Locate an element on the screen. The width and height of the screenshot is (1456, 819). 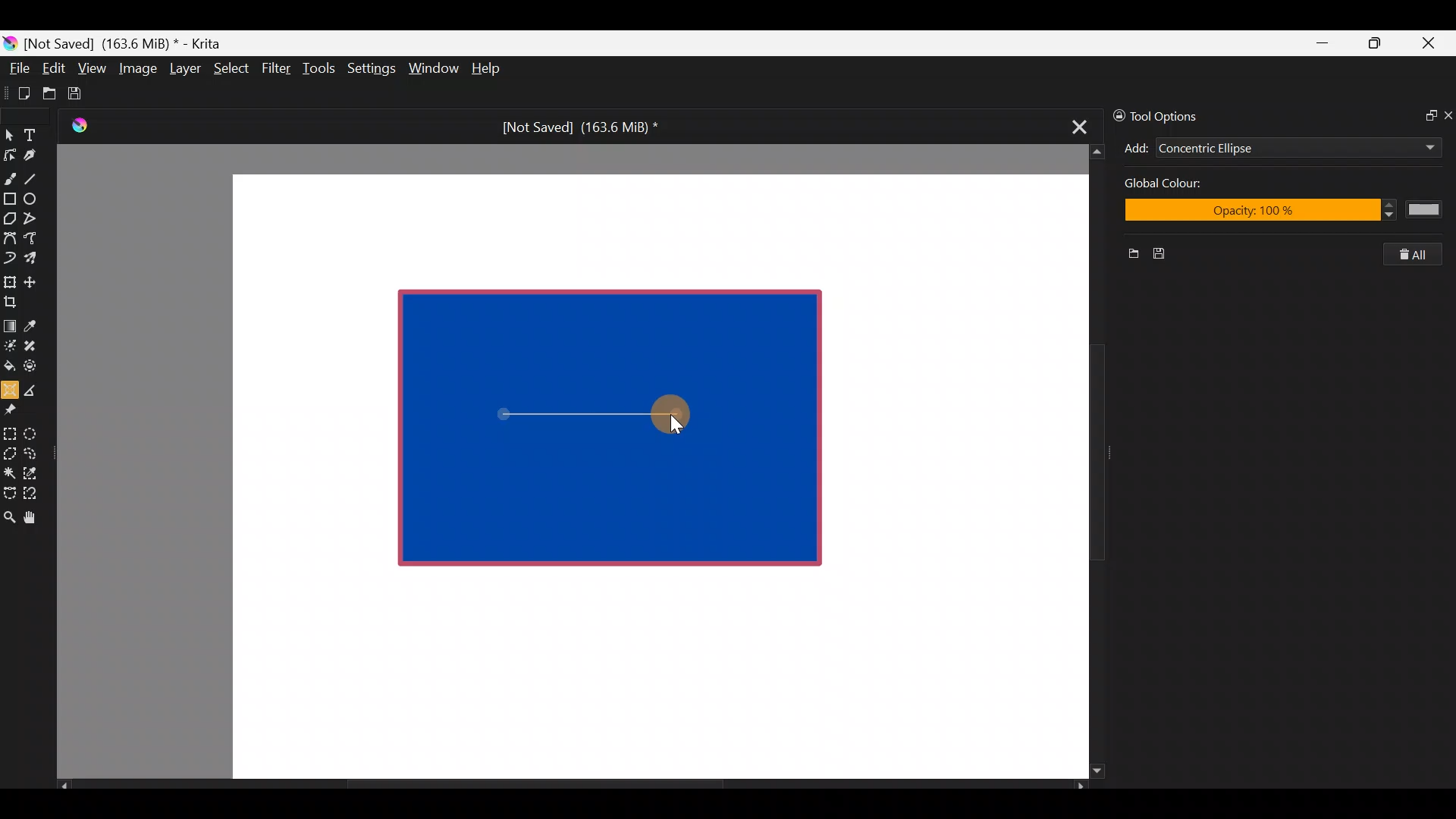
Maximize is located at coordinates (1374, 42).